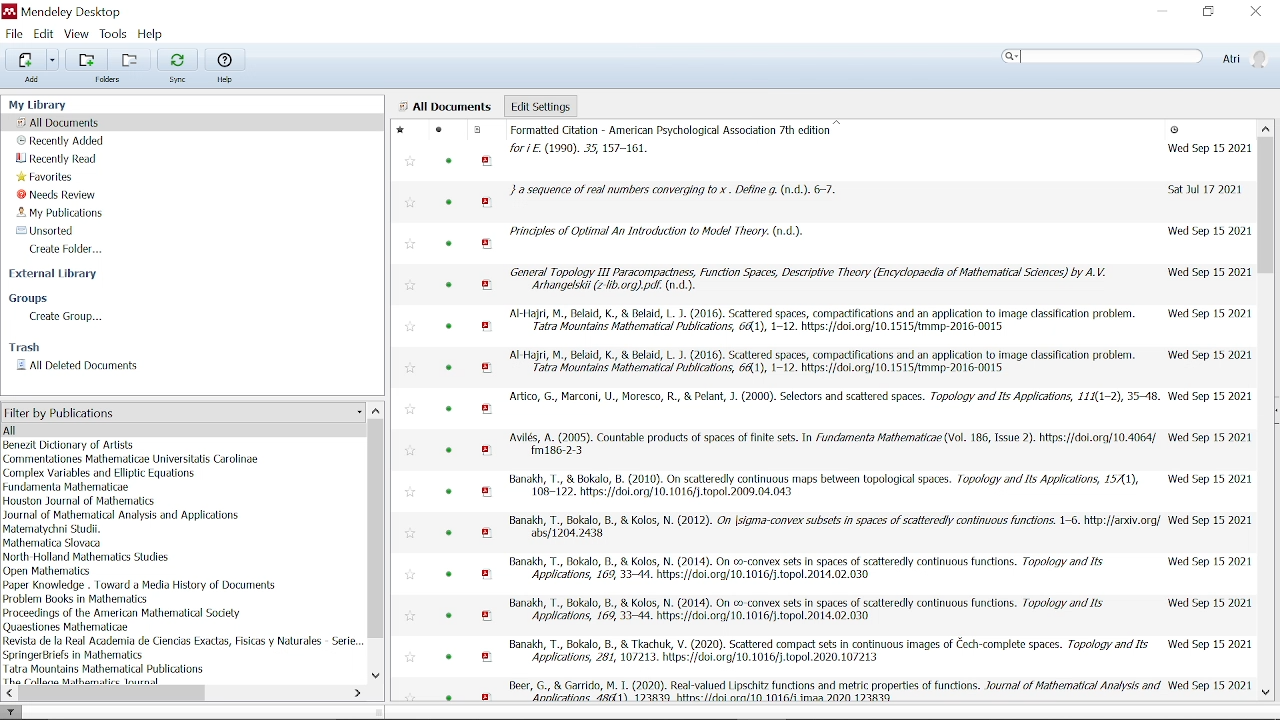  I want to click on External Library, so click(56, 276).